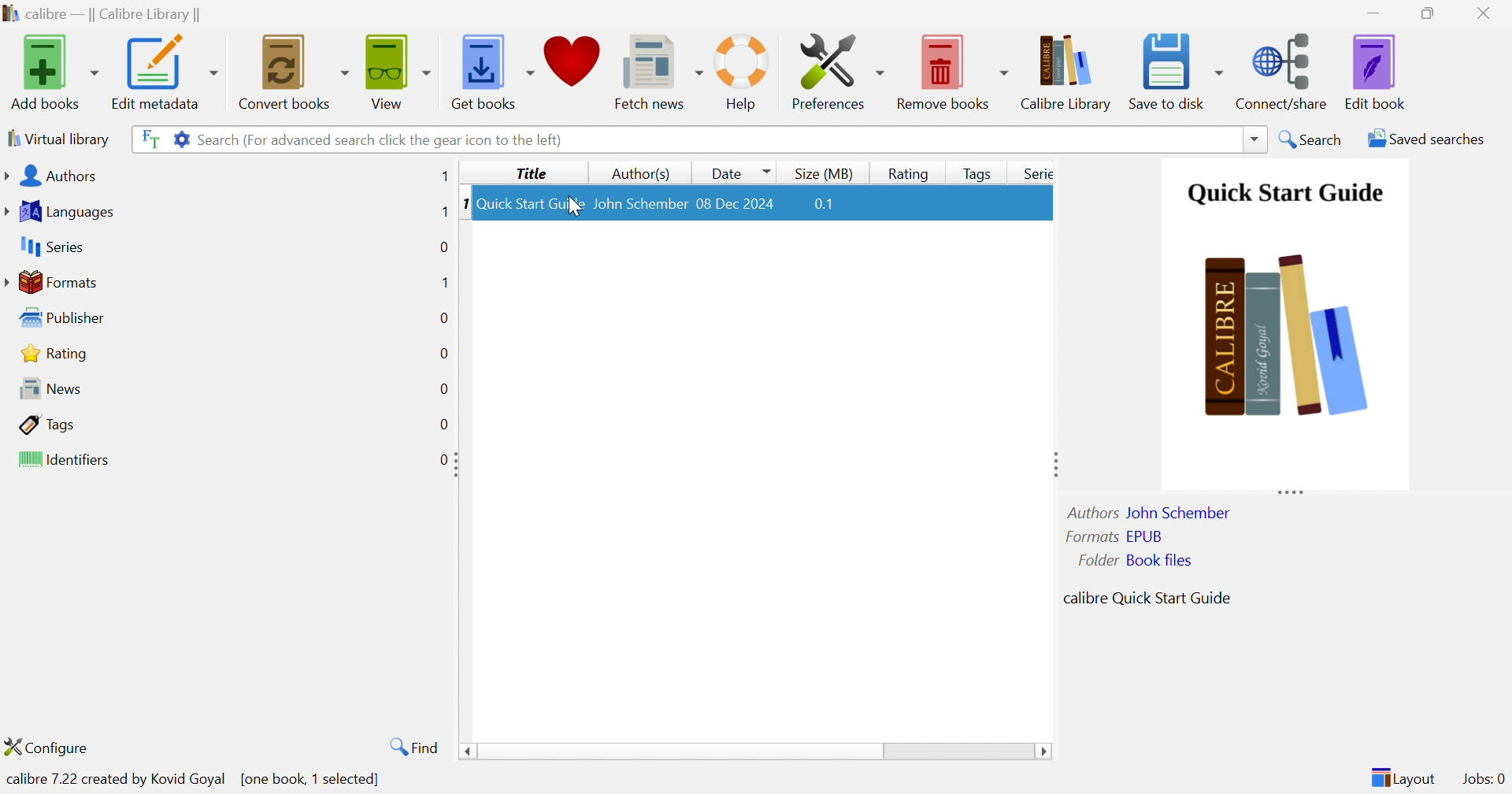  I want to click on Date, so click(739, 173).